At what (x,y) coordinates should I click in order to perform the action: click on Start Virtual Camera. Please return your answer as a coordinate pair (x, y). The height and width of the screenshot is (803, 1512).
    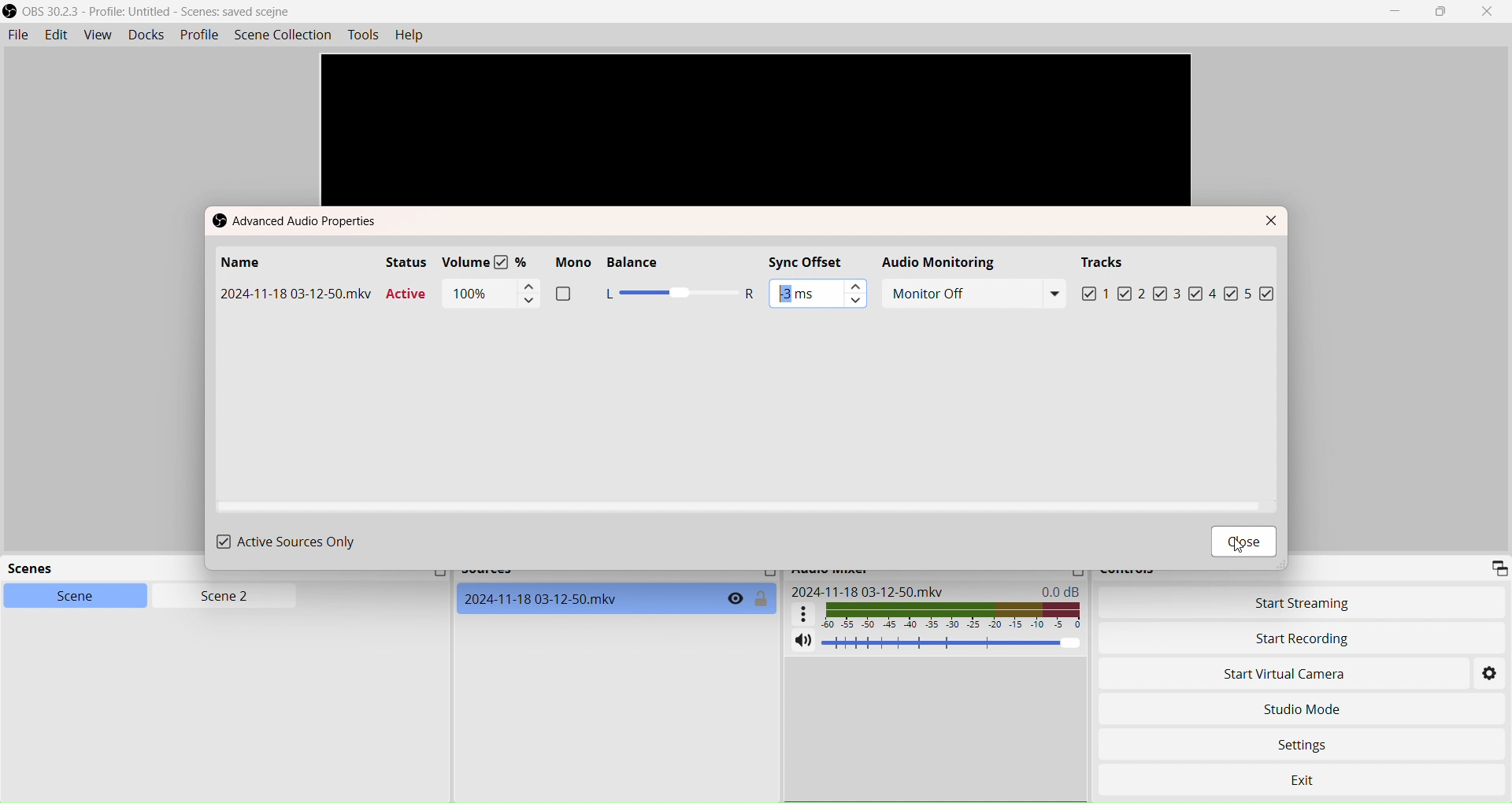
    Looking at the image, I should click on (1295, 675).